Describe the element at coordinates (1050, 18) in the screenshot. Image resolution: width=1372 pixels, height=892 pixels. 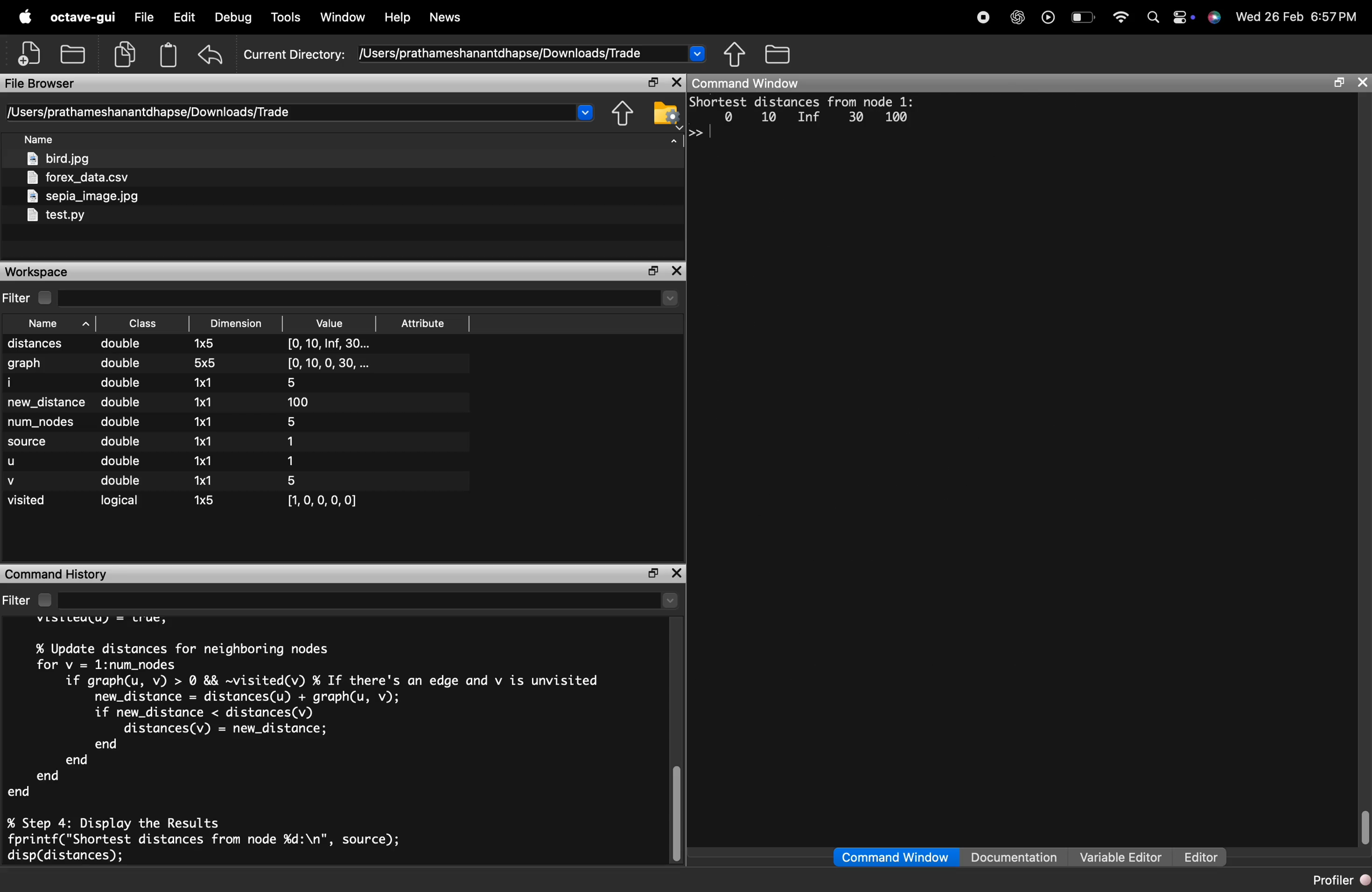
I see `play` at that location.